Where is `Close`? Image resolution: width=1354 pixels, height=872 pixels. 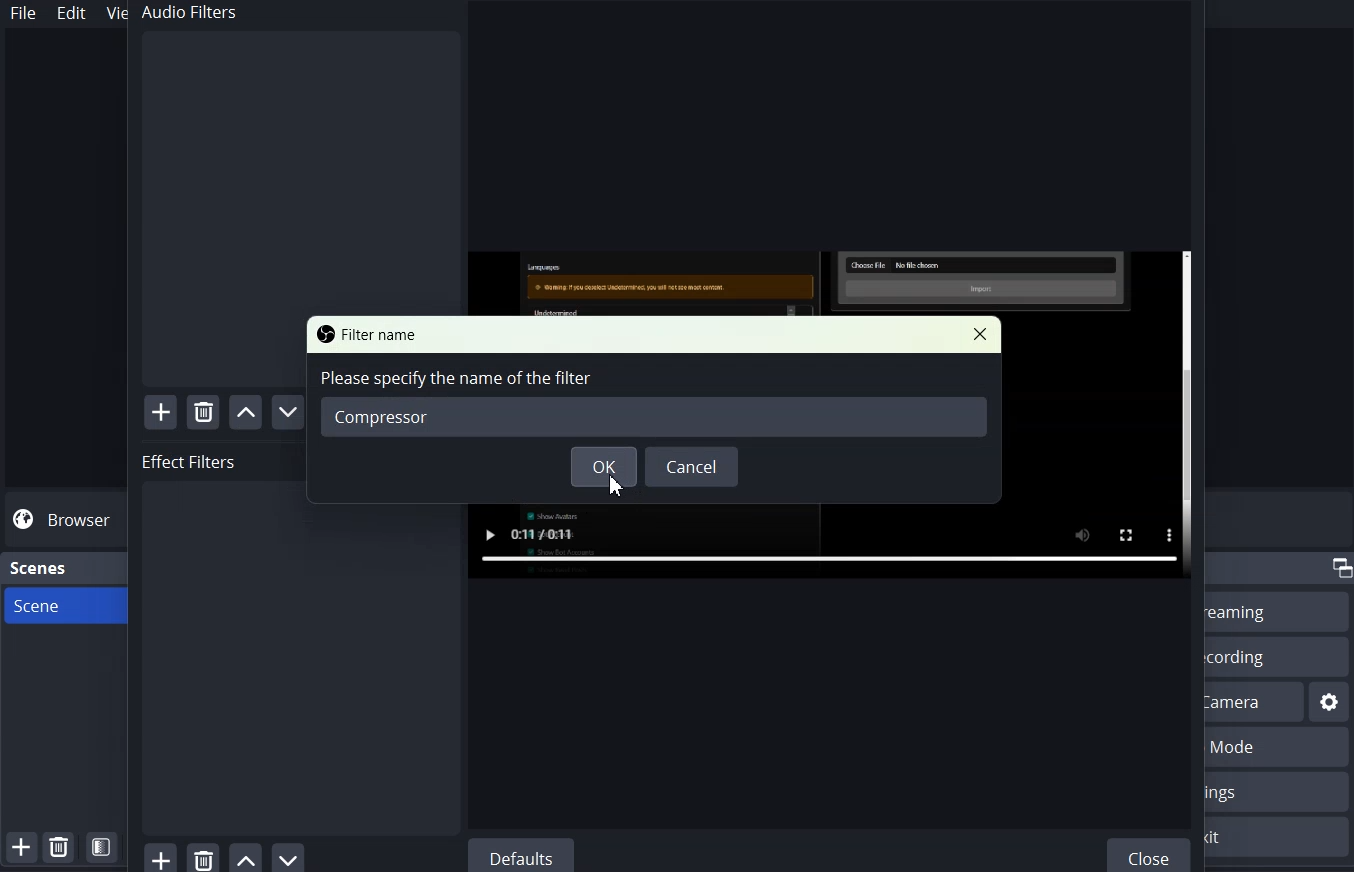
Close is located at coordinates (1151, 853).